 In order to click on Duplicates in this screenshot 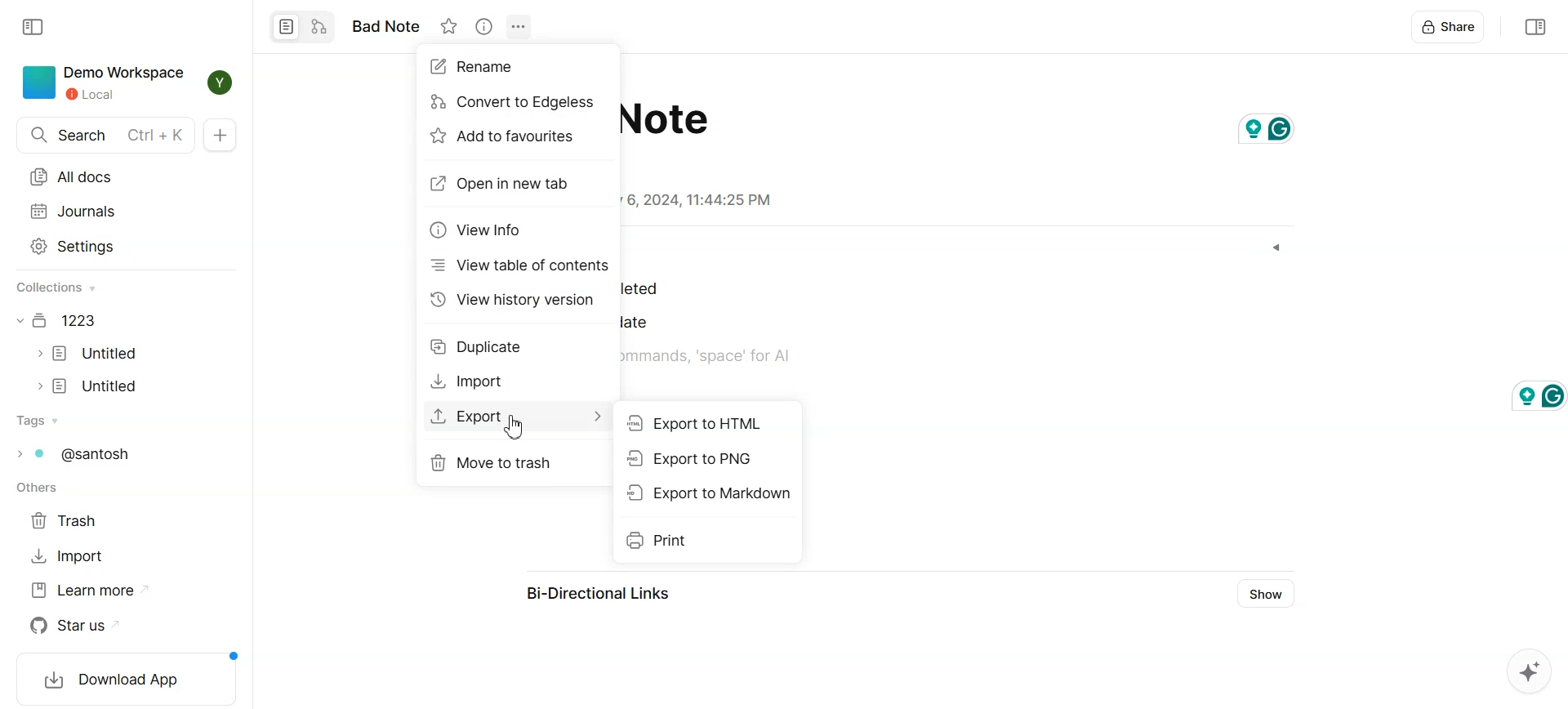, I will do `click(482, 349)`.